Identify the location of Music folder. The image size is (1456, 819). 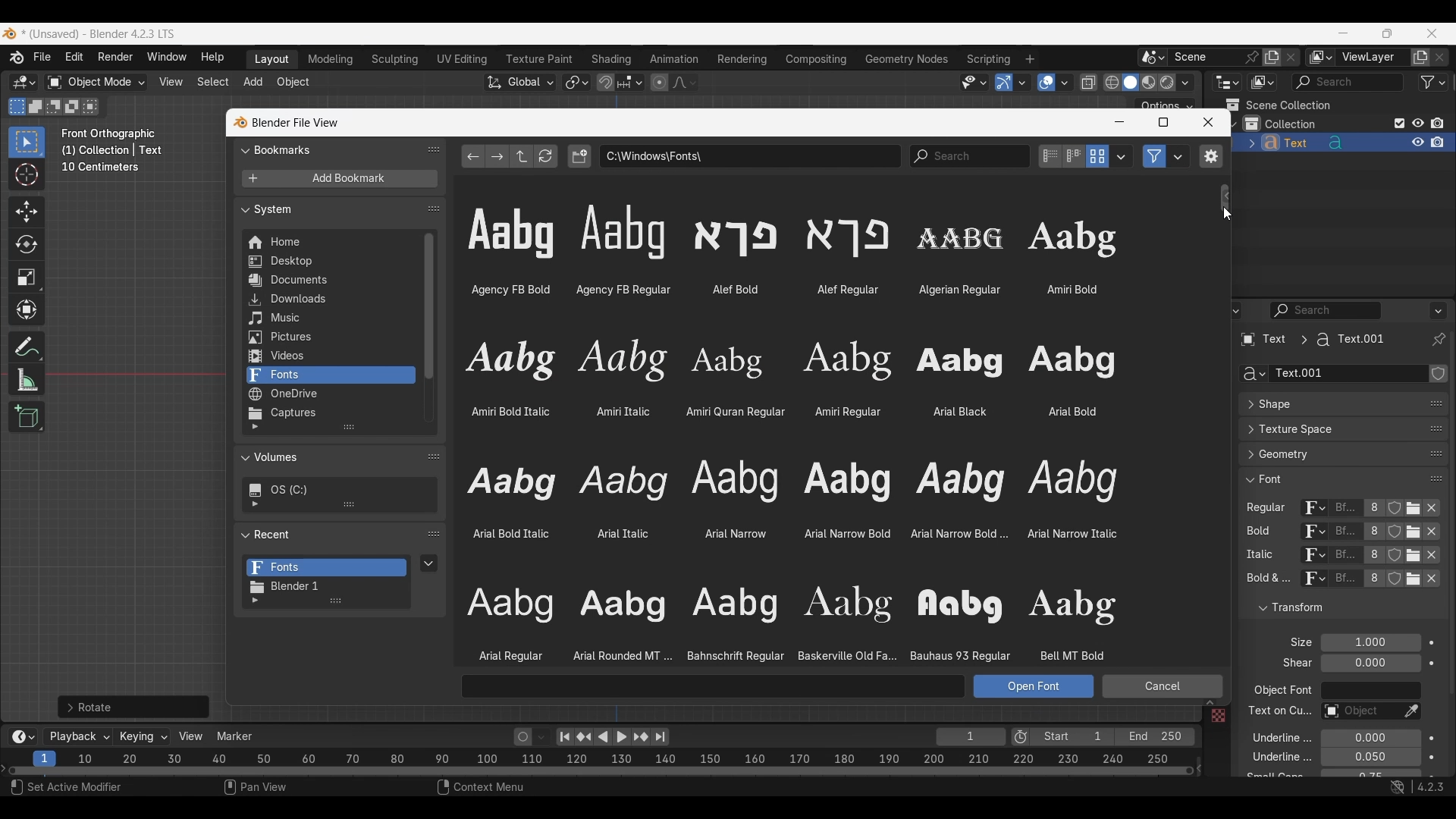
(328, 318).